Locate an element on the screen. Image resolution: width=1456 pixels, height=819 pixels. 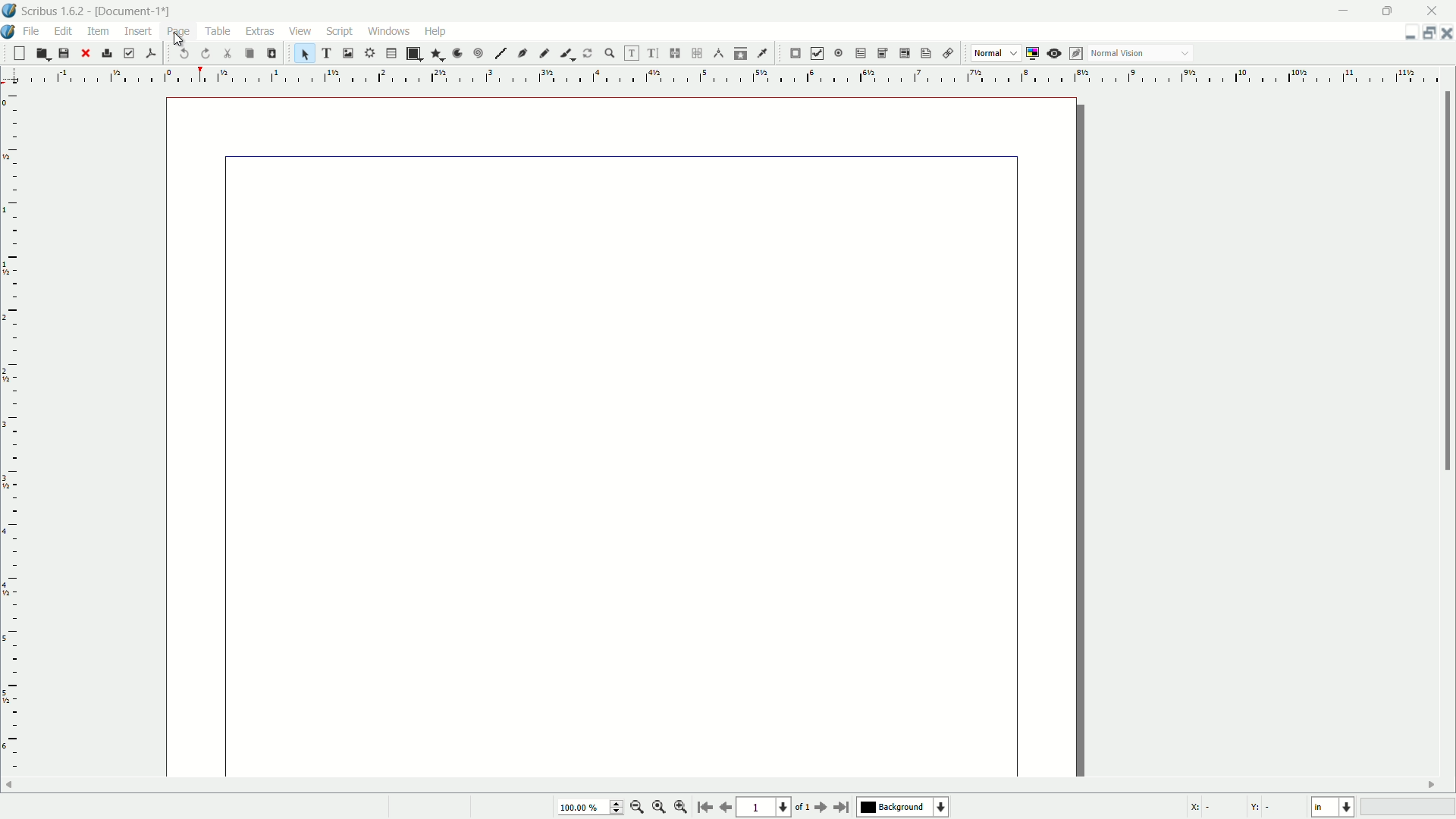
open is located at coordinates (41, 54).